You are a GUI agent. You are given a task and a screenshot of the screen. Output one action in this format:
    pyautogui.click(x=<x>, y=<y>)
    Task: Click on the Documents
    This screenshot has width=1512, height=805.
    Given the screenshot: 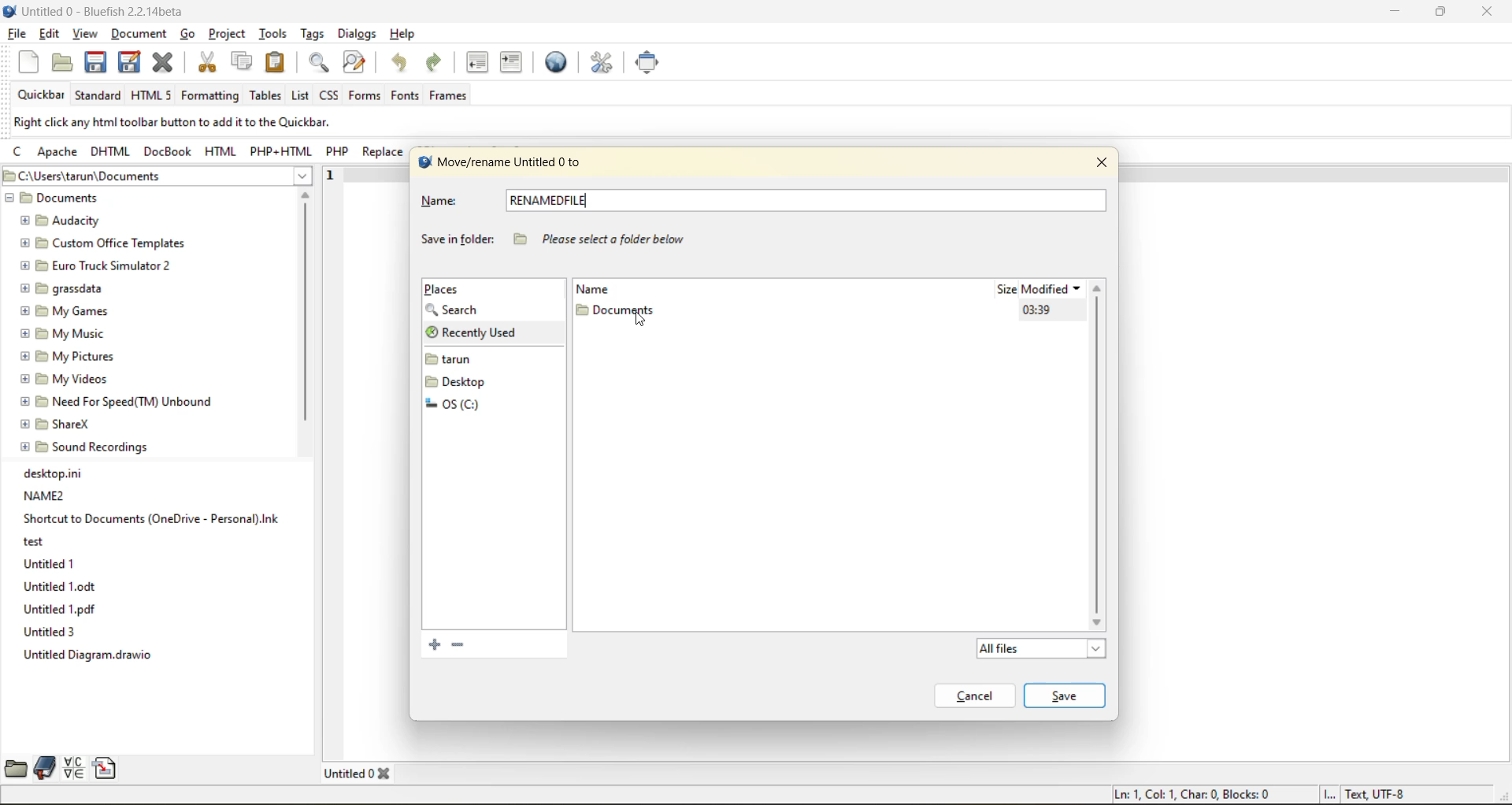 What is the action you would take?
    pyautogui.click(x=60, y=198)
    